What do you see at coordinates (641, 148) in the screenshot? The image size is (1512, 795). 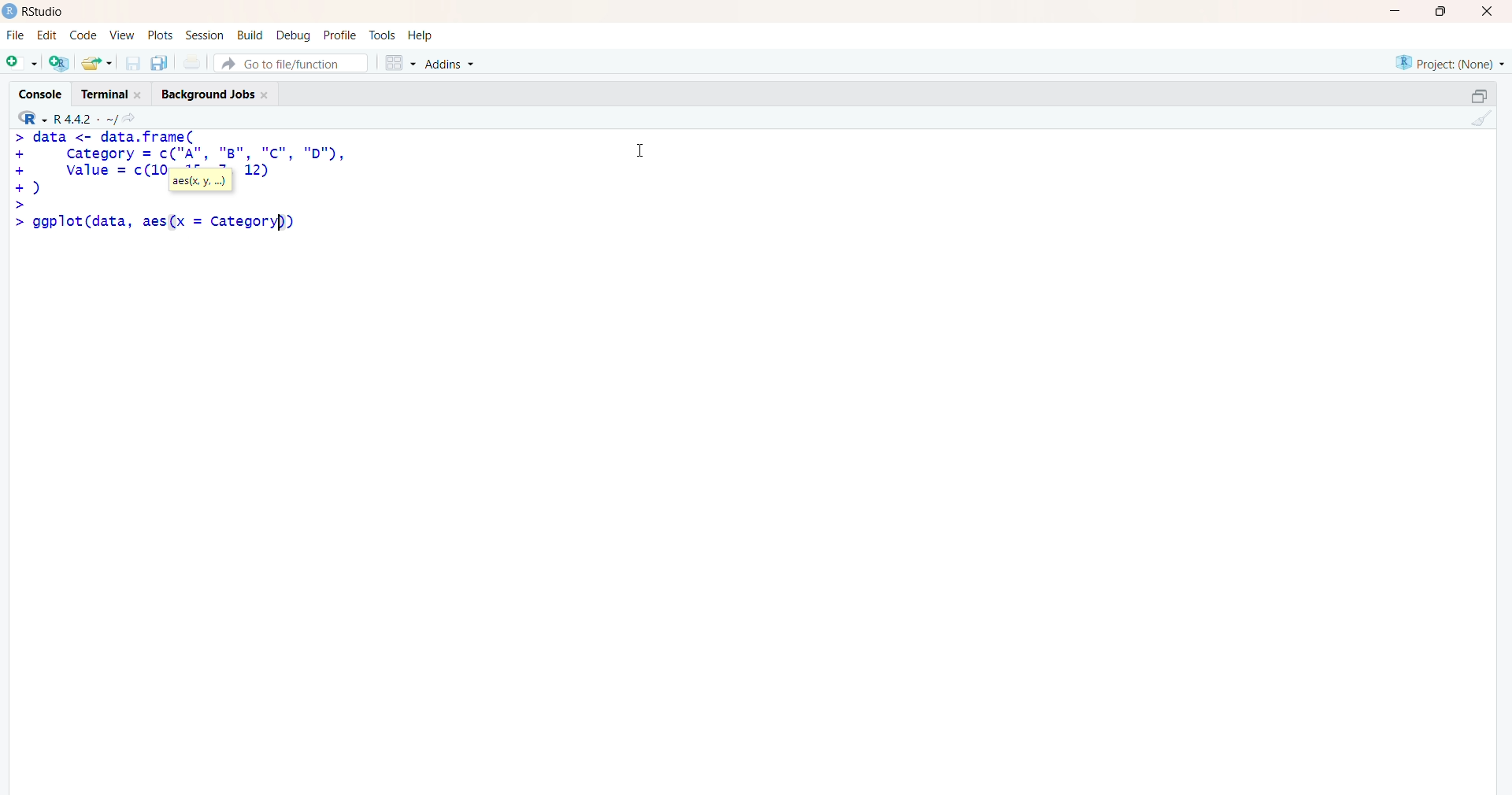 I see `Cursor` at bounding box center [641, 148].